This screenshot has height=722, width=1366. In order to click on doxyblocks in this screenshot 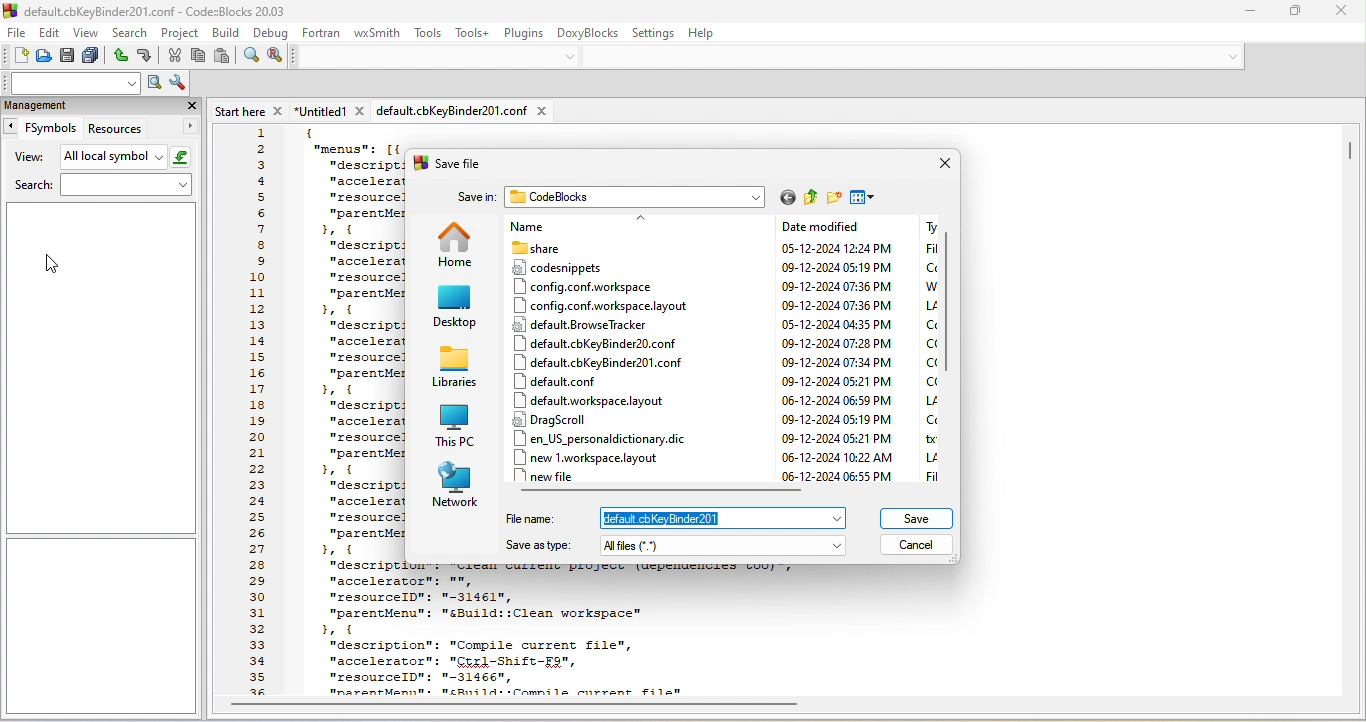, I will do `click(588, 34)`.